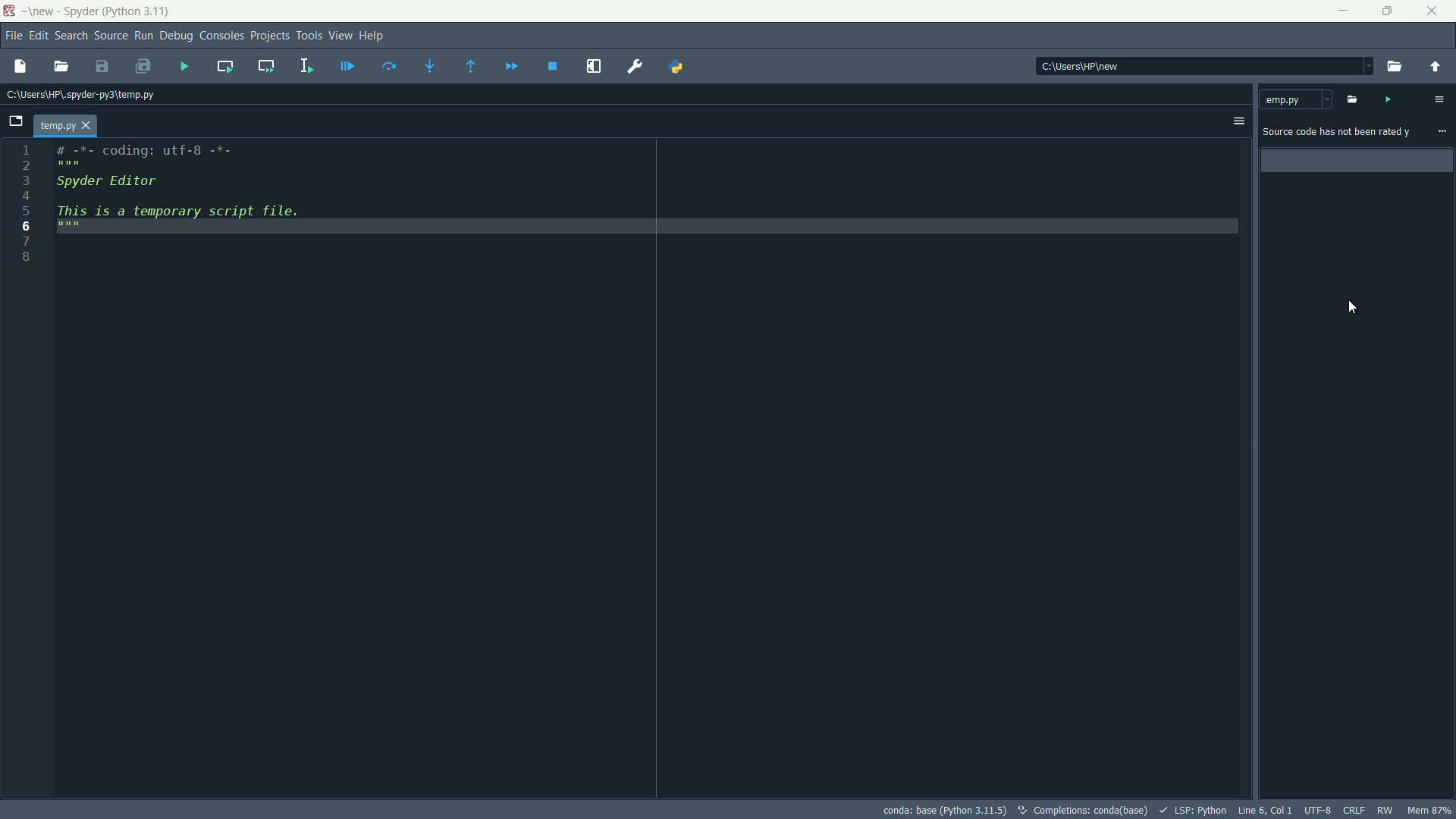 The height and width of the screenshot is (819, 1456). What do you see at coordinates (71, 38) in the screenshot?
I see `search menu` at bounding box center [71, 38].